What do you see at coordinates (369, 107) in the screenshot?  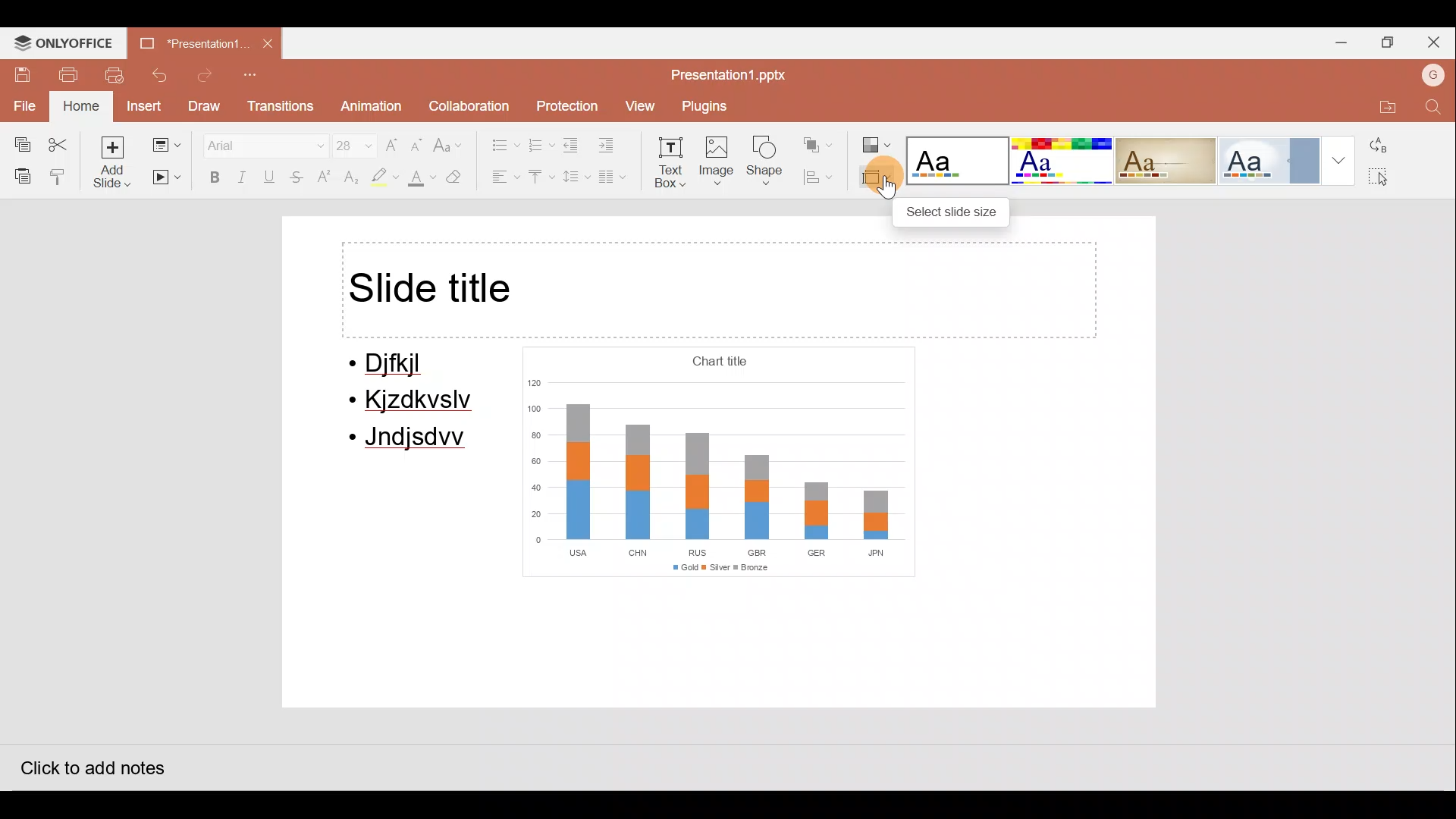 I see `Animation` at bounding box center [369, 107].